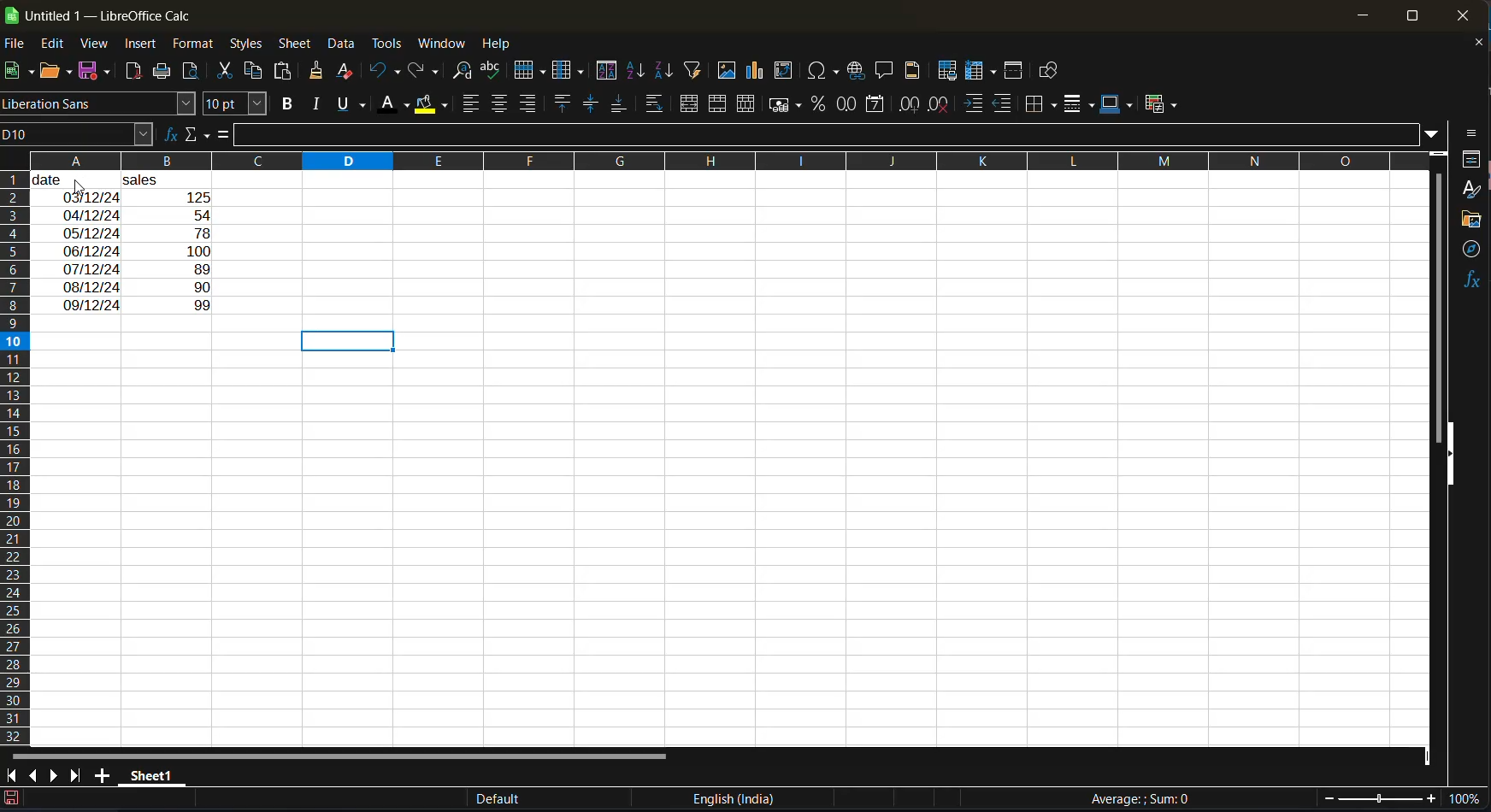 This screenshot has width=1491, height=812. What do you see at coordinates (721, 108) in the screenshot?
I see `merge cells` at bounding box center [721, 108].